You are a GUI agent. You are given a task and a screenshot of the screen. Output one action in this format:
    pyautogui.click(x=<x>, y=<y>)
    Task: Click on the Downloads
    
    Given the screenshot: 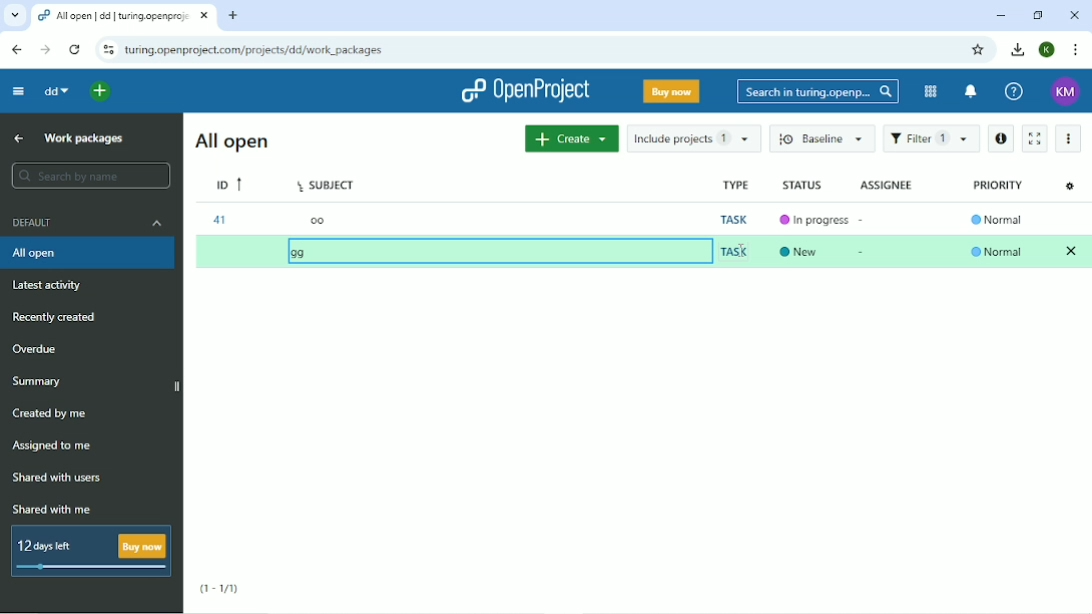 What is the action you would take?
    pyautogui.click(x=1018, y=50)
    